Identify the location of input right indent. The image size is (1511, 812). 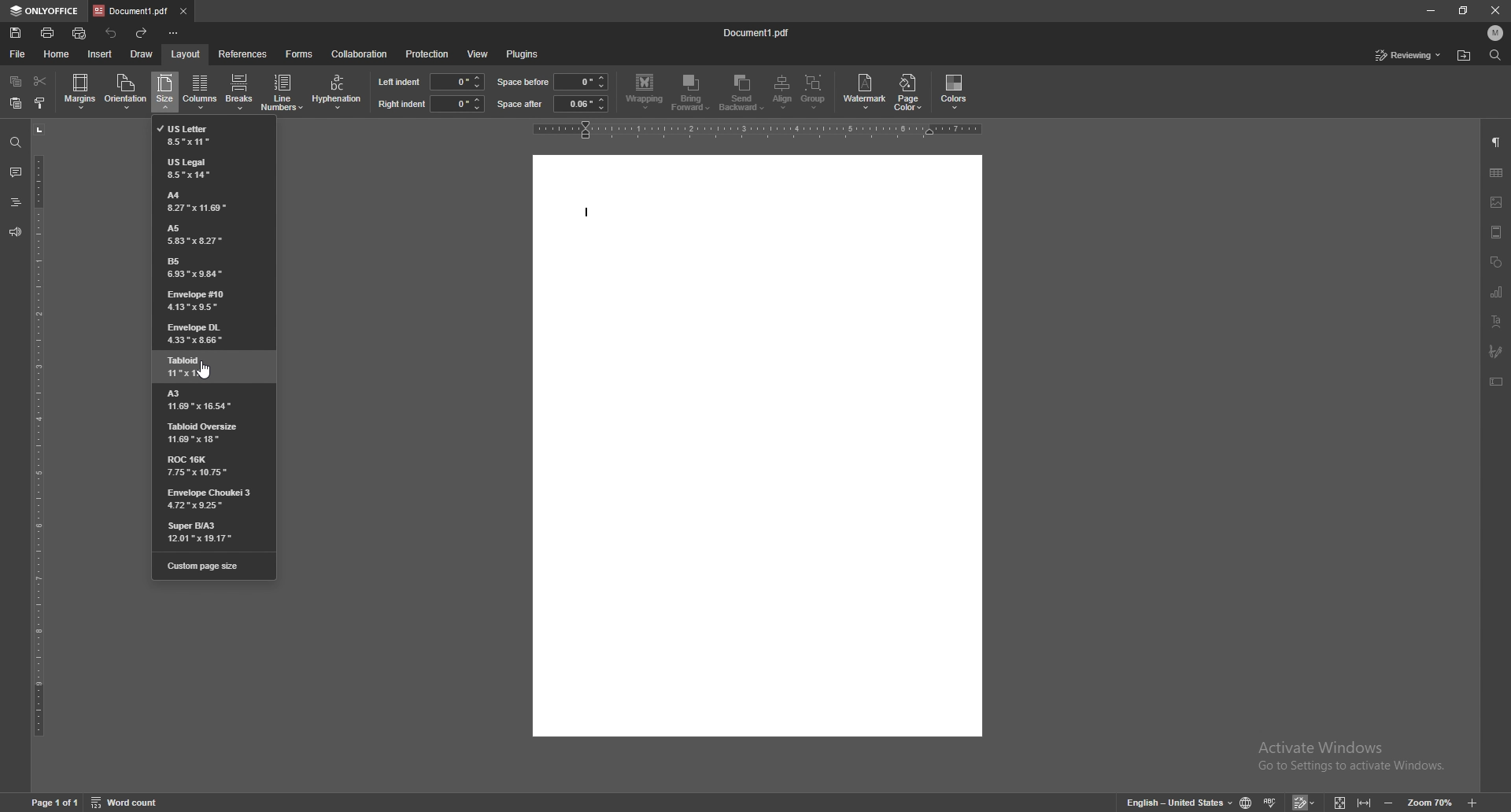
(456, 103).